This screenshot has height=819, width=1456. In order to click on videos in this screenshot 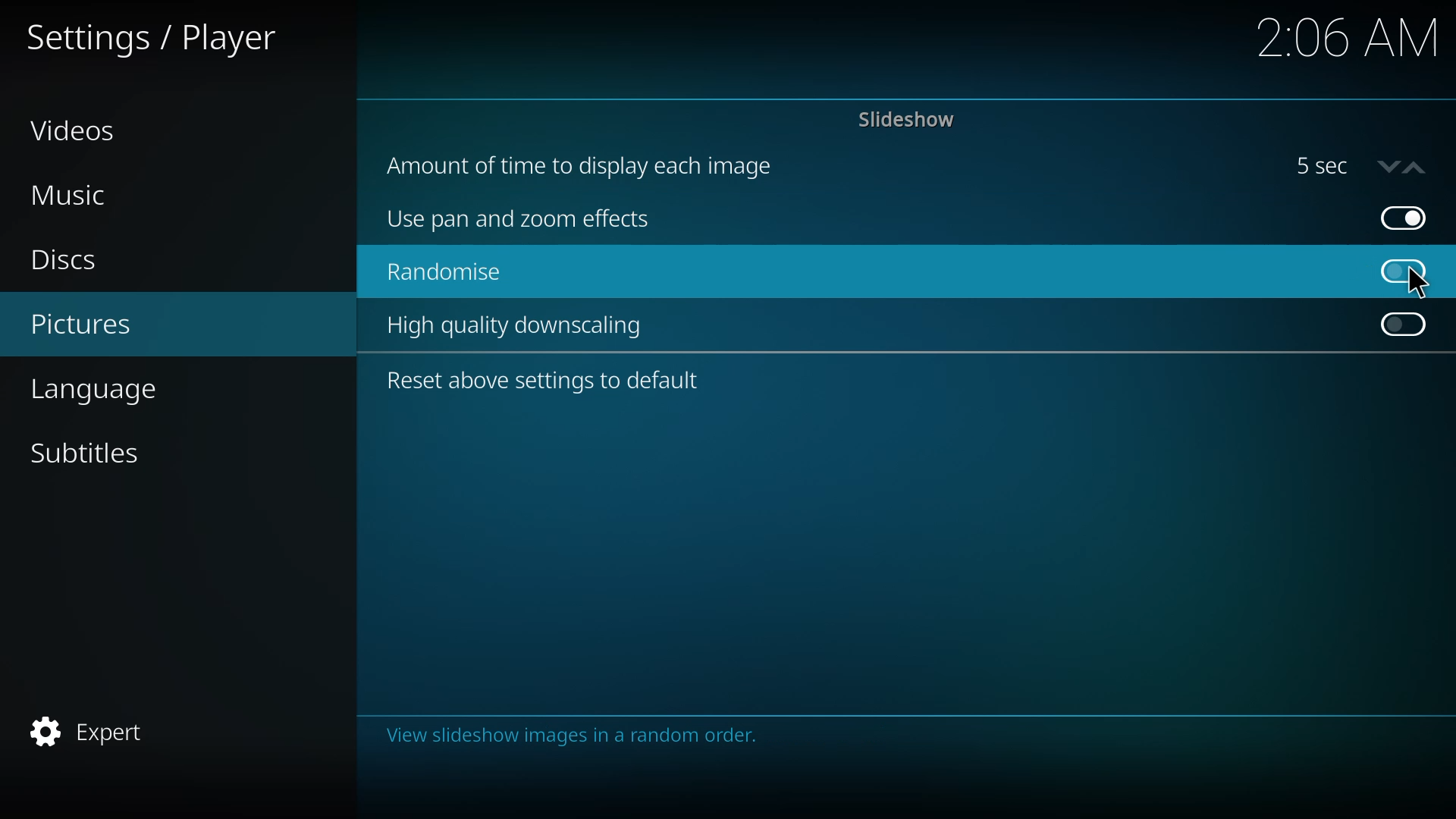, I will do `click(76, 128)`.